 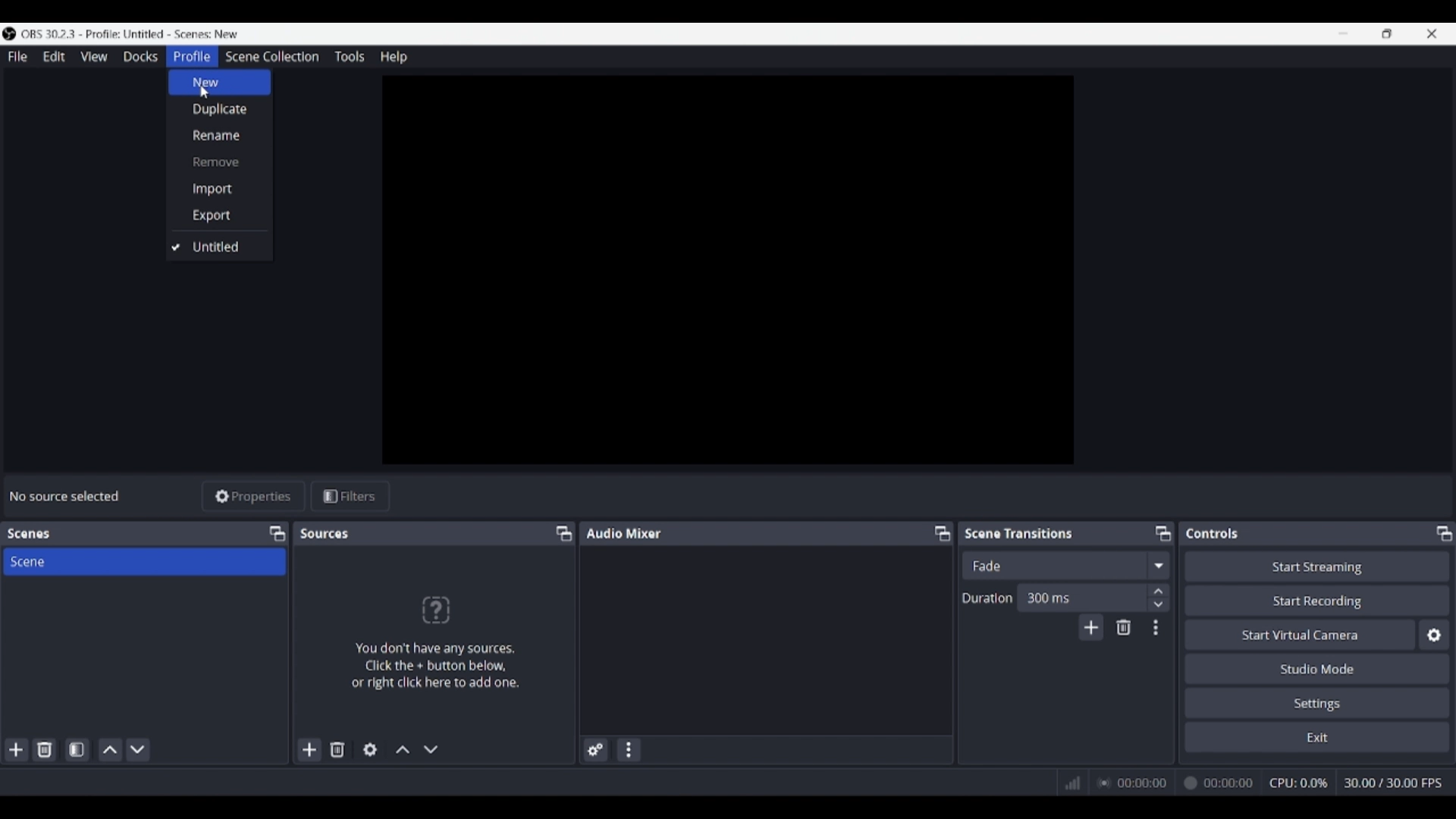 What do you see at coordinates (254, 497) in the screenshot?
I see `Properties` at bounding box center [254, 497].